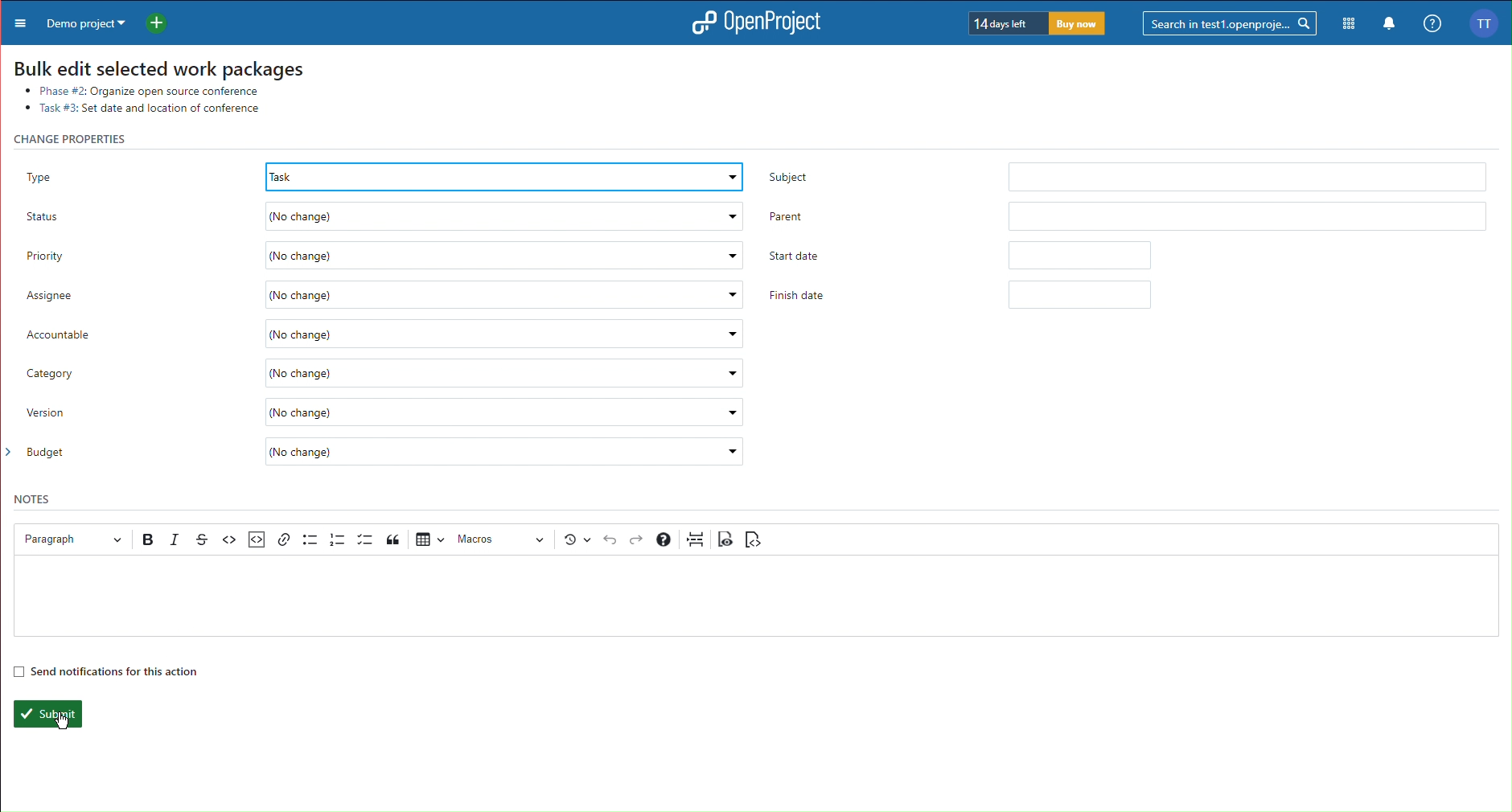  Describe the element at coordinates (610, 540) in the screenshot. I see `Undo` at that location.